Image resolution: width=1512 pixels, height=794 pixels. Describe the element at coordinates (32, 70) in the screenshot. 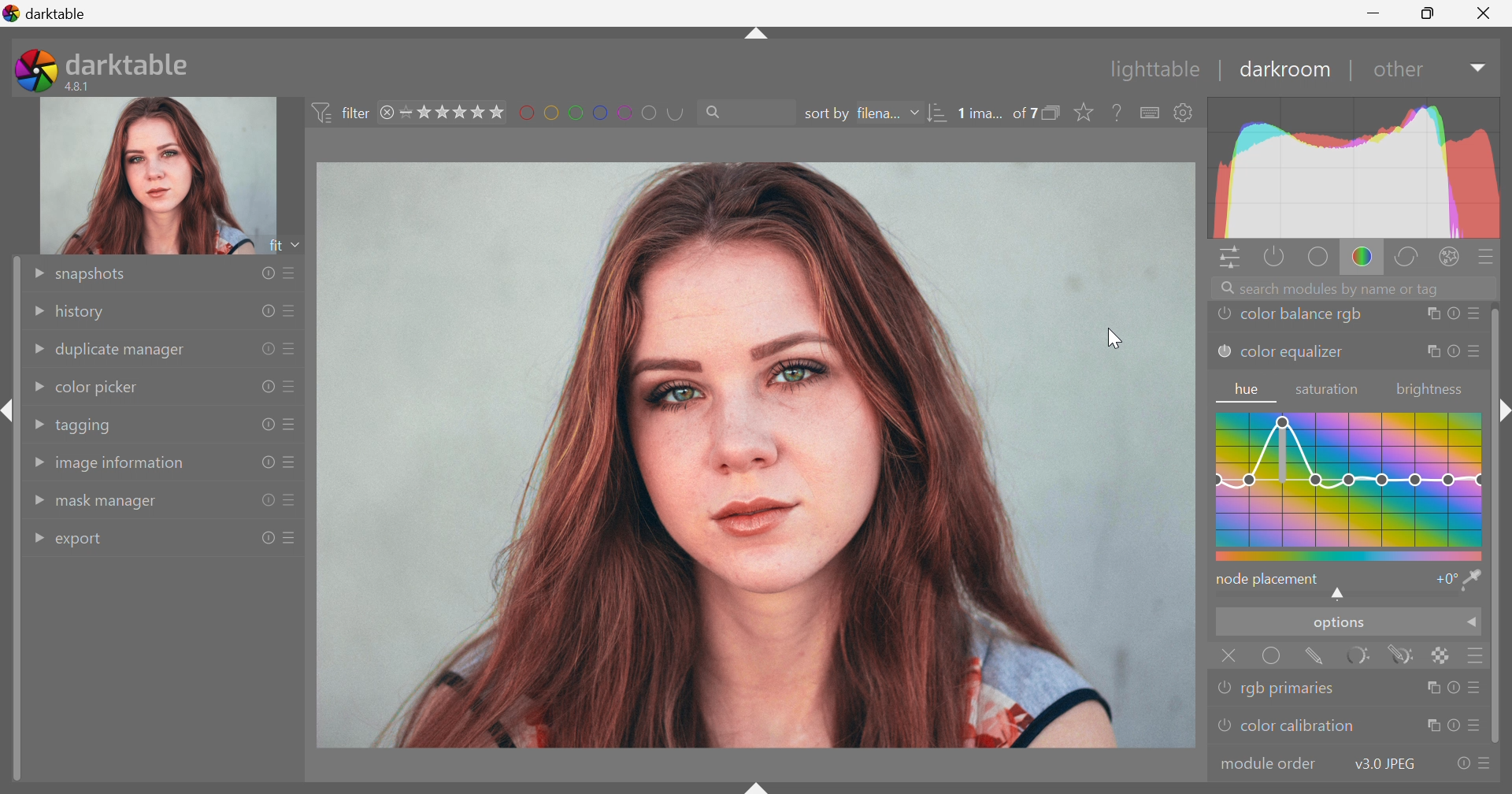

I see `darktable icon` at that location.